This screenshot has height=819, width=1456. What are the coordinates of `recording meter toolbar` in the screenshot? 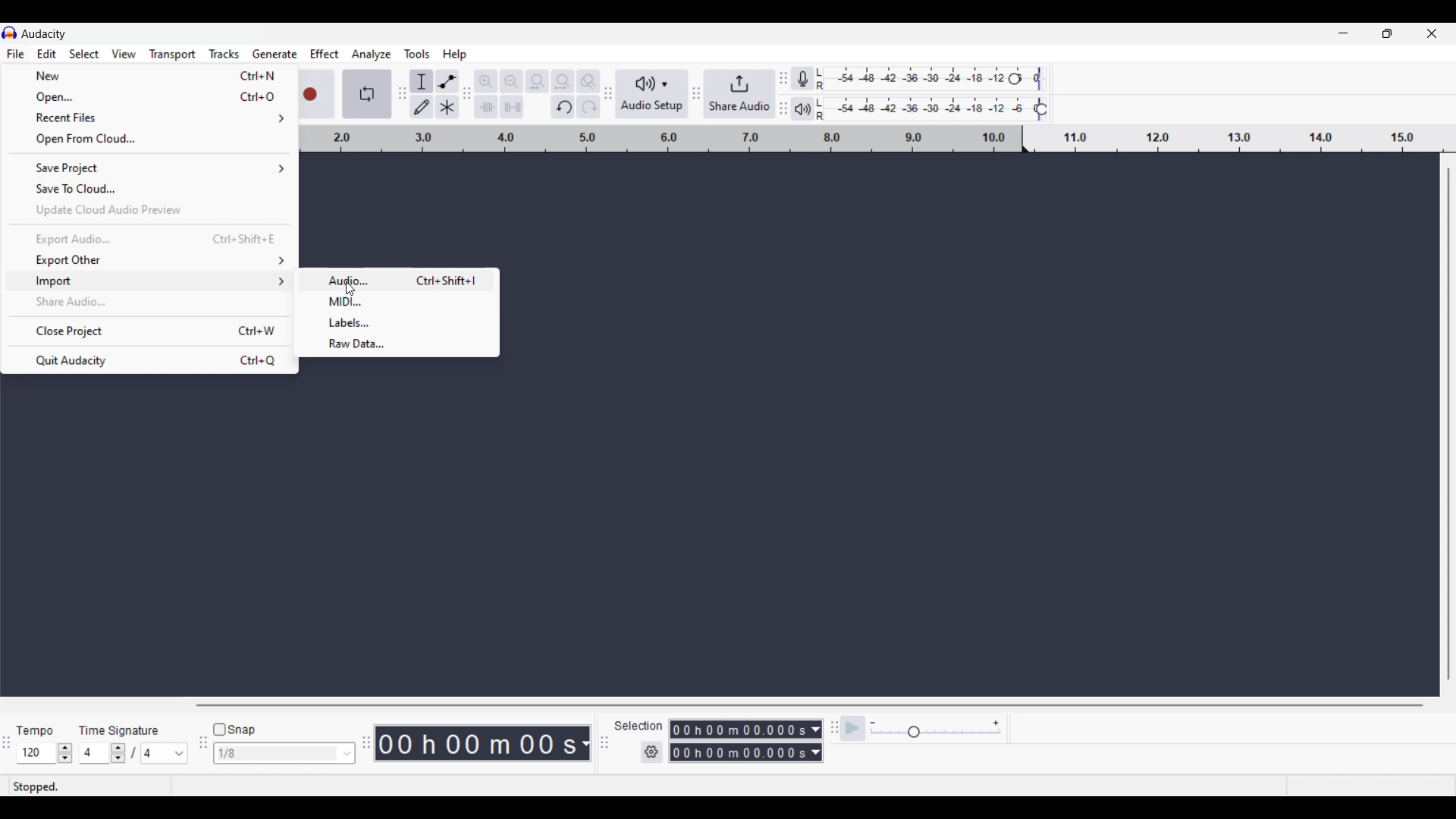 It's located at (783, 73).